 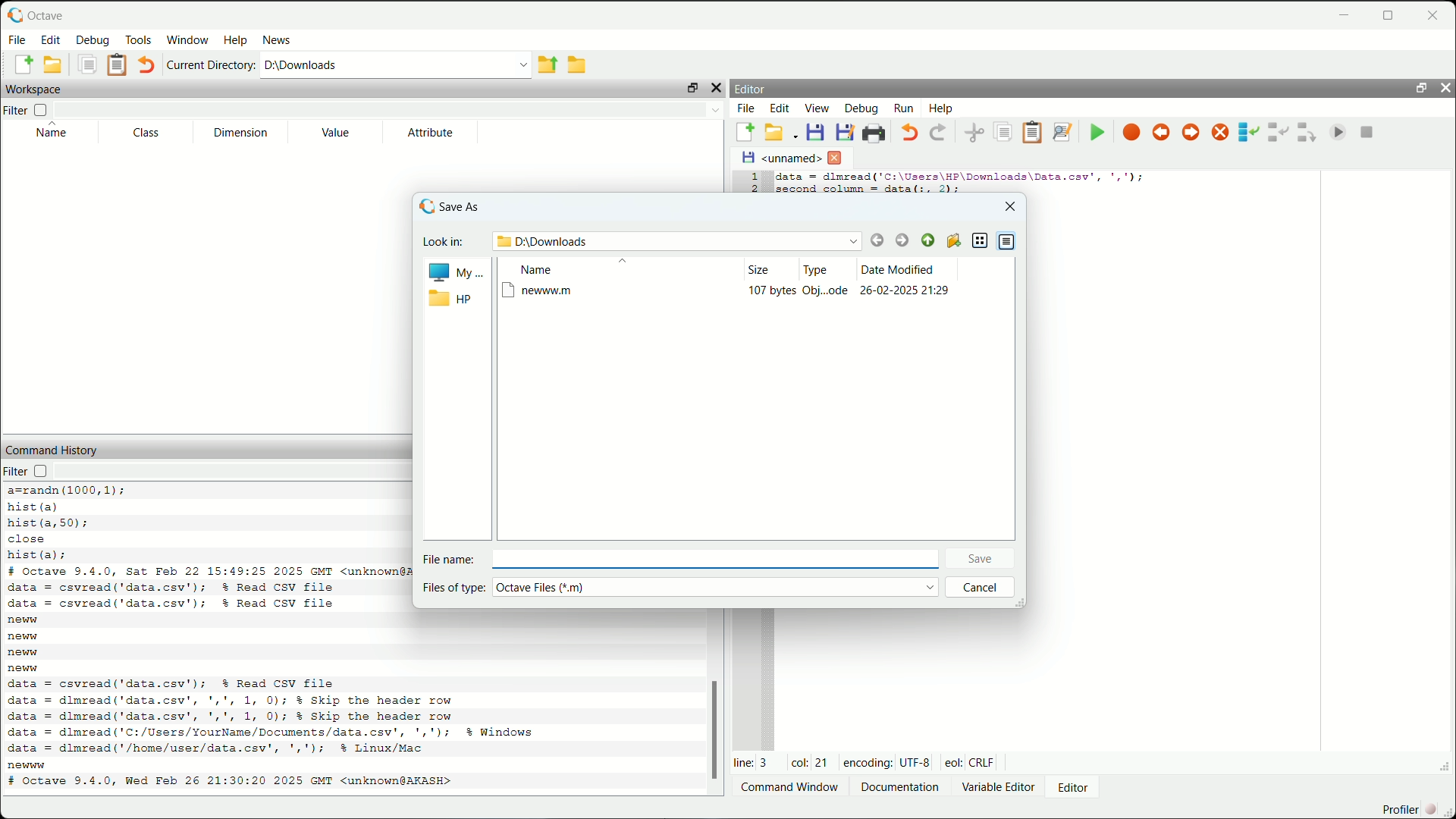 What do you see at coordinates (689, 87) in the screenshot?
I see `unlock widget` at bounding box center [689, 87].